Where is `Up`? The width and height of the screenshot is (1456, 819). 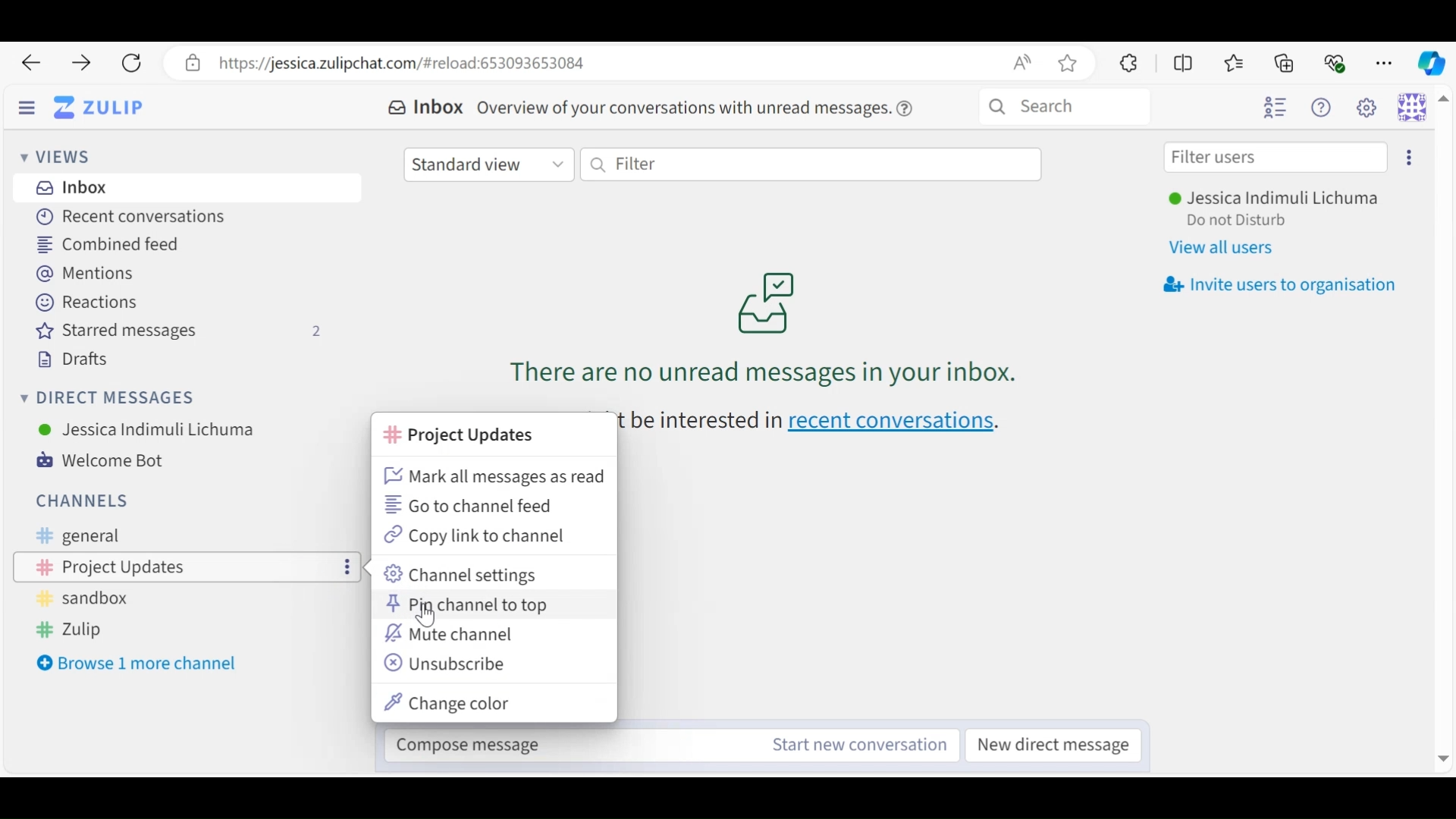
Up is located at coordinates (1444, 101).